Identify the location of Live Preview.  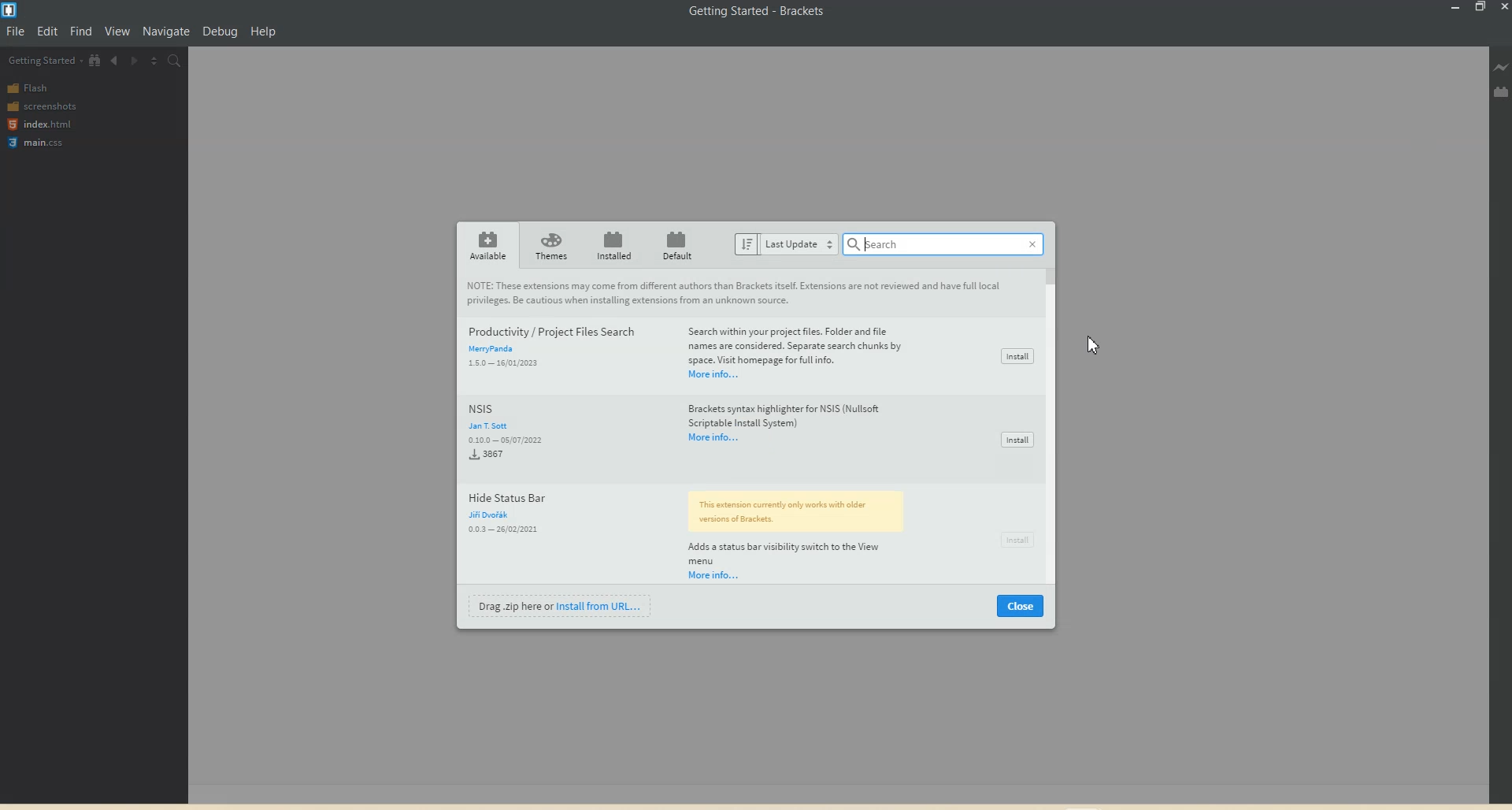
(1502, 68).